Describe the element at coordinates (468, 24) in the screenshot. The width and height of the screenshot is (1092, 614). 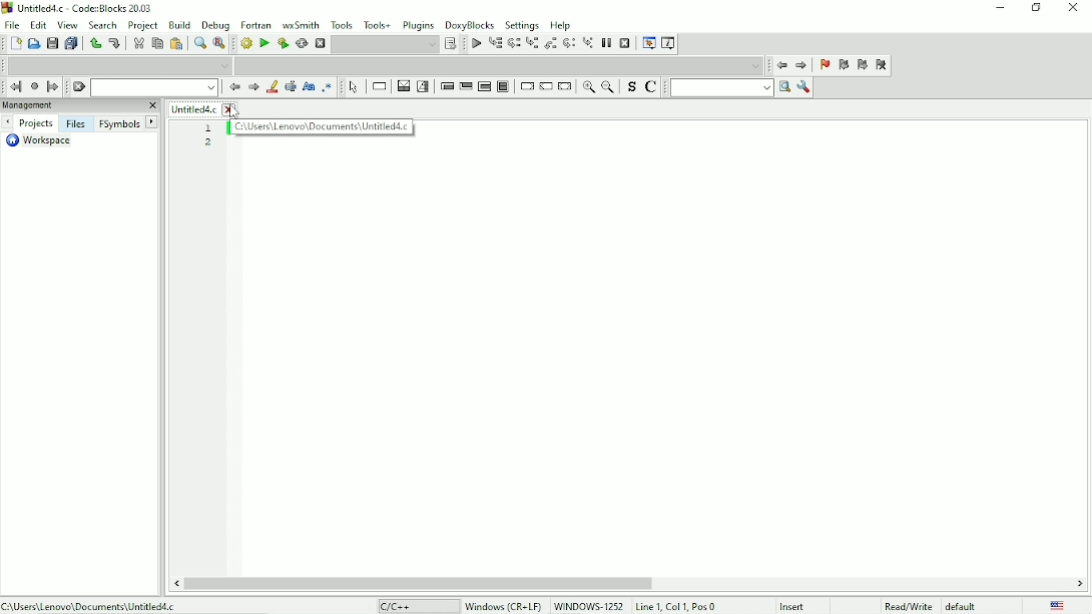
I see `DoxyBlocks` at that location.